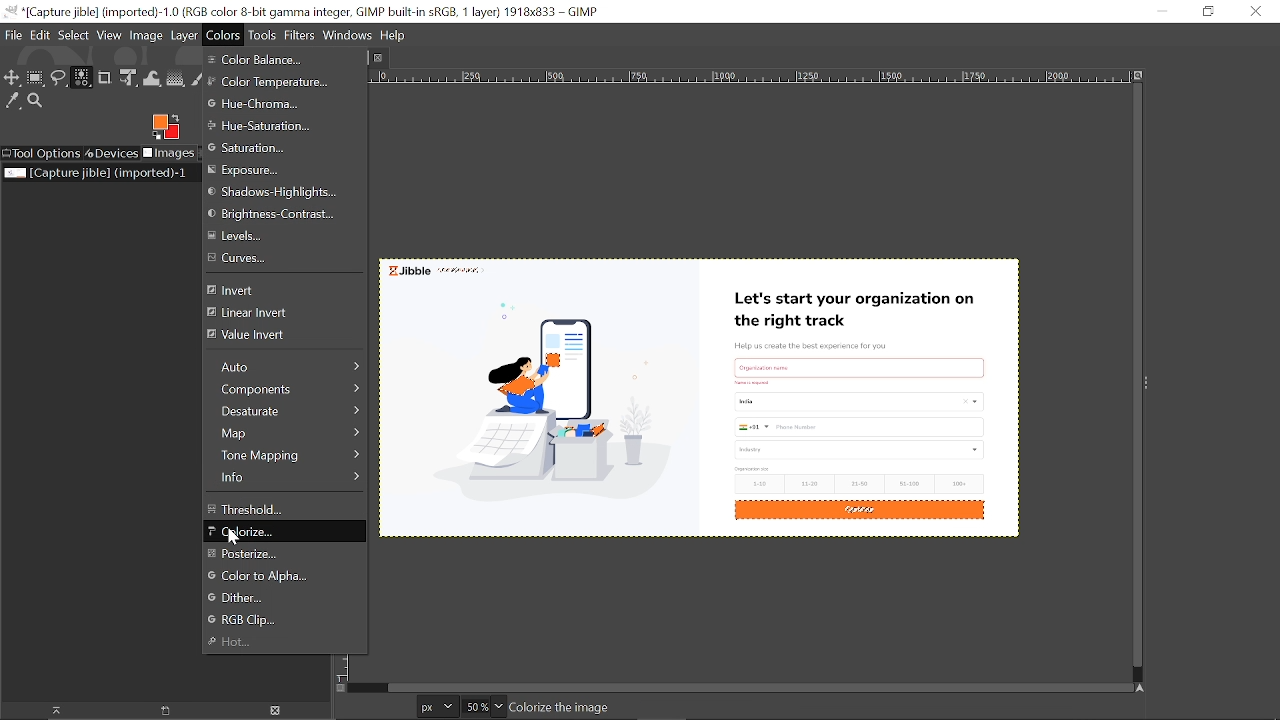 Image resolution: width=1280 pixels, height=720 pixels. What do you see at coordinates (13, 102) in the screenshot?
I see `Color picker tool` at bounding box center [13, 102].